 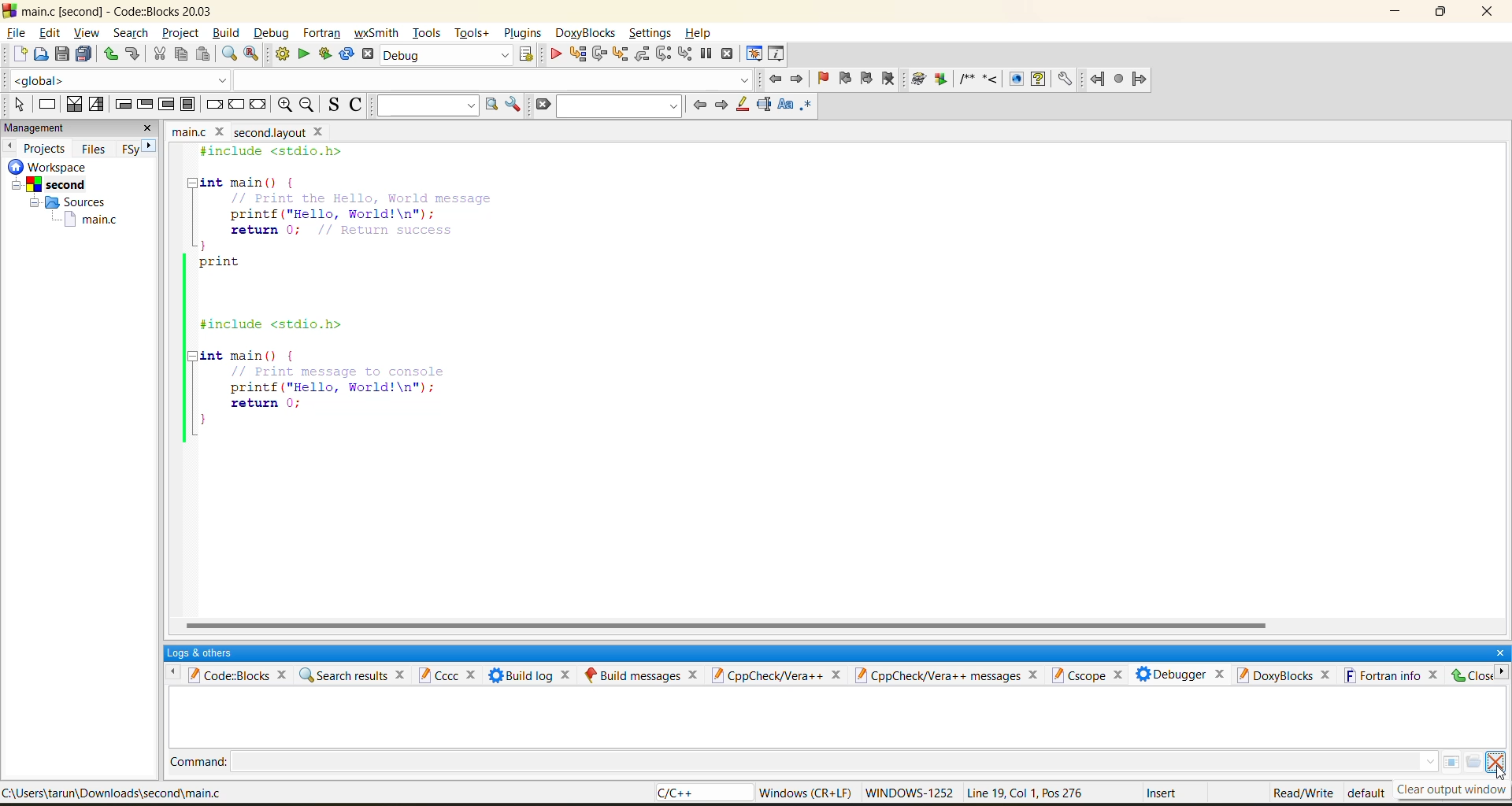 What do you see at coordinates (306, 106) in the screenshot?
I see `zoom out` at bounding box center [306, 106].